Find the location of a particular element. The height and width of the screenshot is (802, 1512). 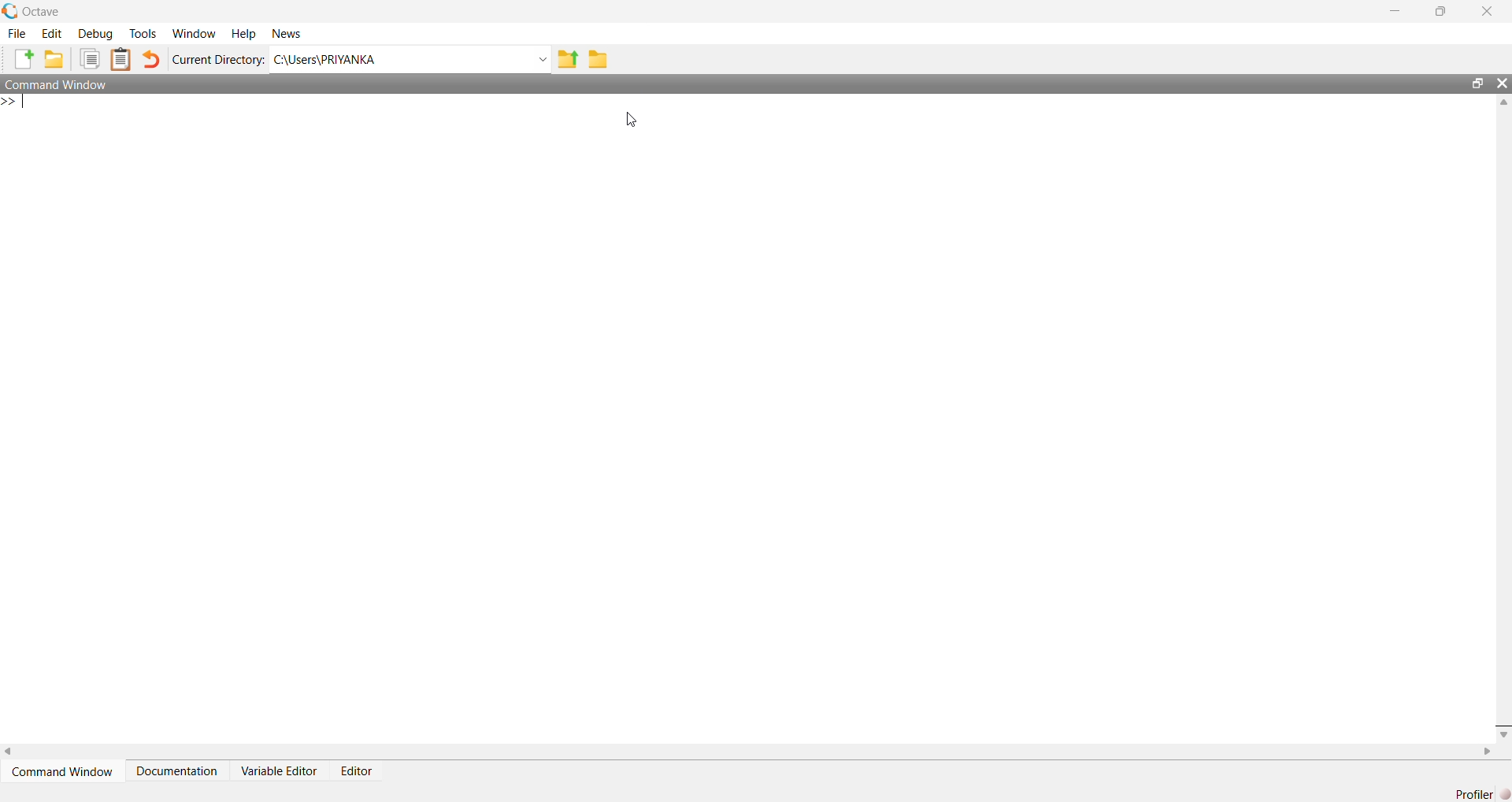

Variable Editor is located at coordinates (278, 770).